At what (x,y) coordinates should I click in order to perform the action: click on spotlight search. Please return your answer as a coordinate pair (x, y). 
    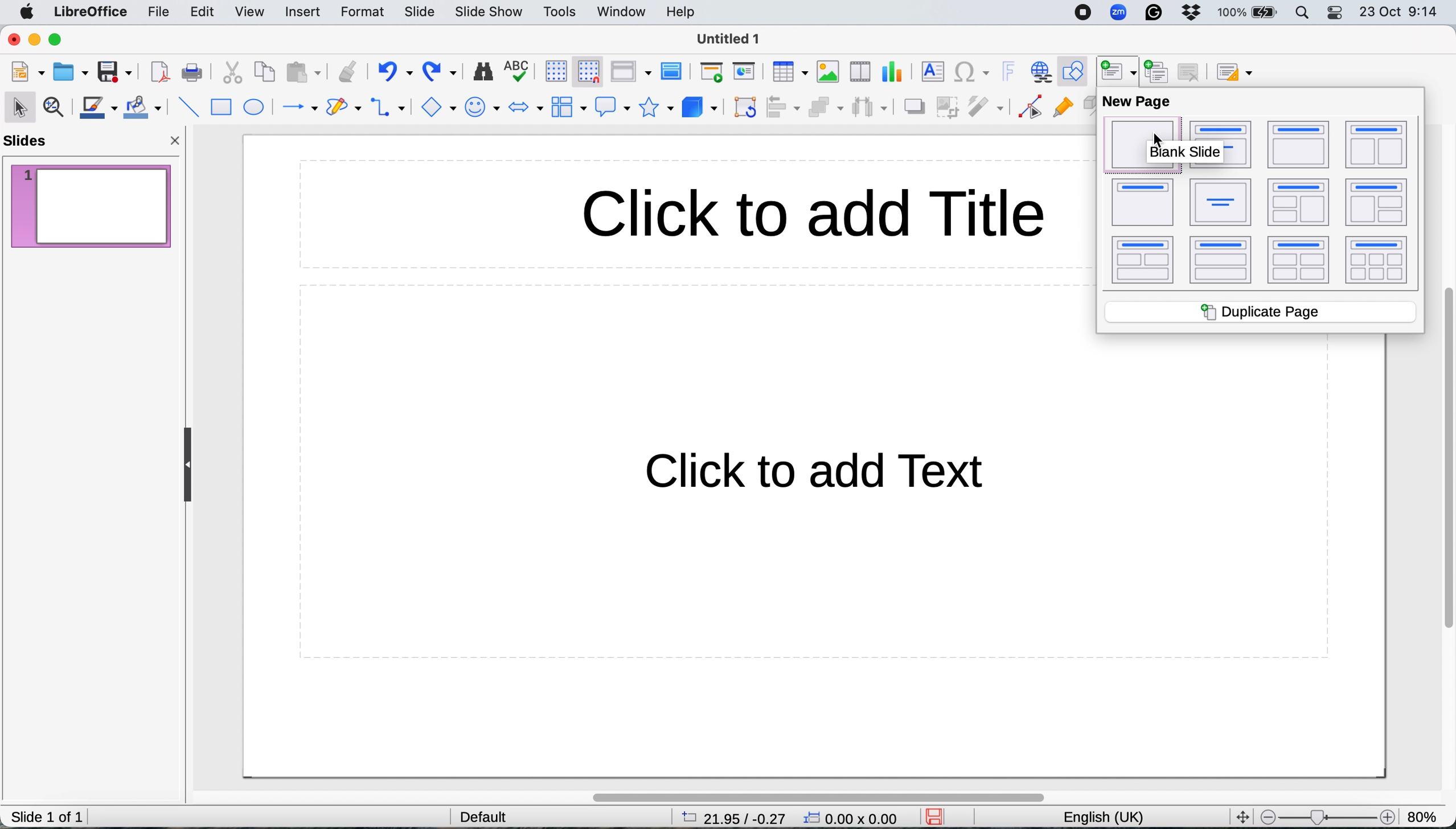
    Looking at the image, I should click on (1305, 13).